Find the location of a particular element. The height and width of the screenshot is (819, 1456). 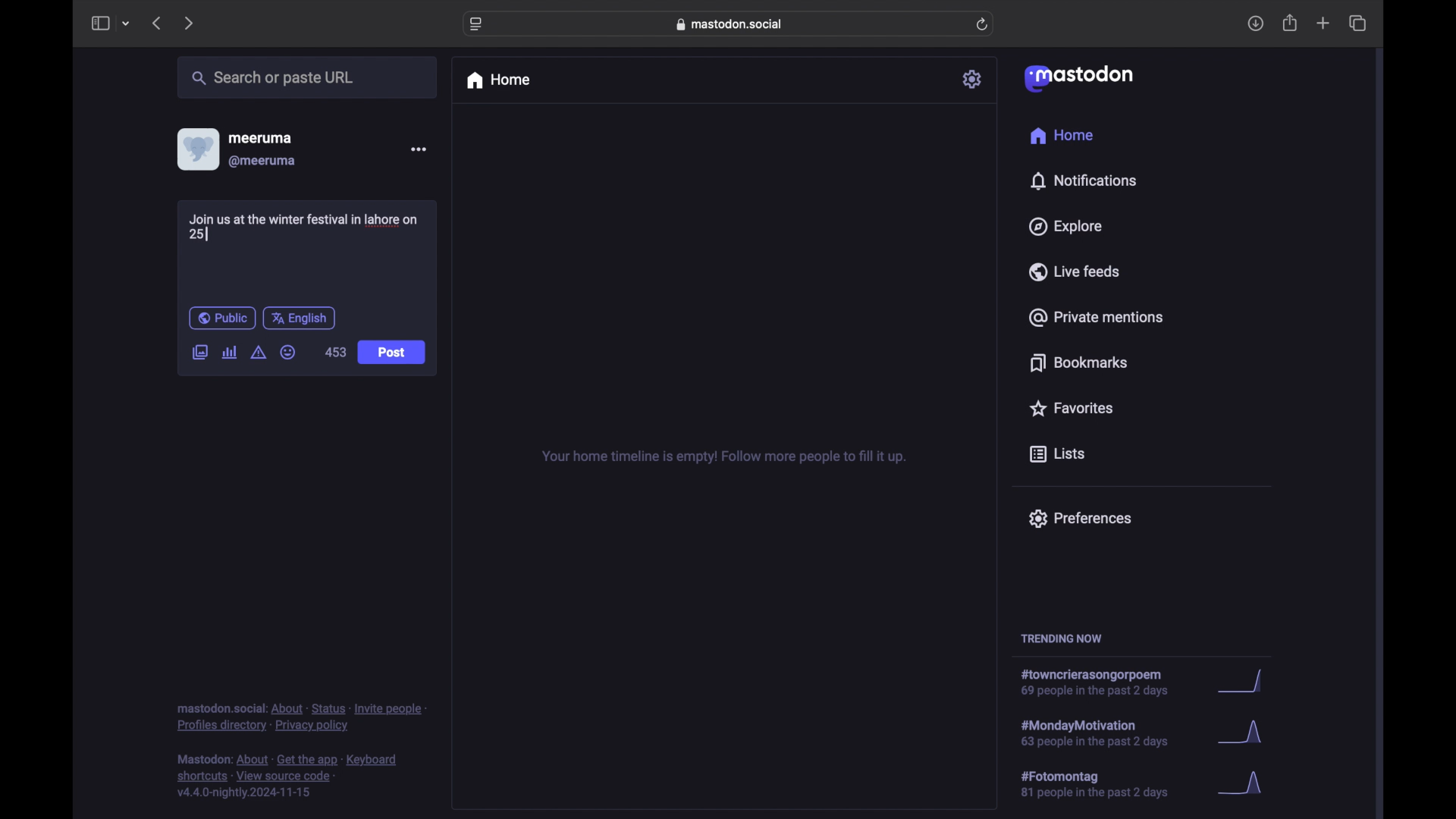

download is located at coordinates (1256, 24).